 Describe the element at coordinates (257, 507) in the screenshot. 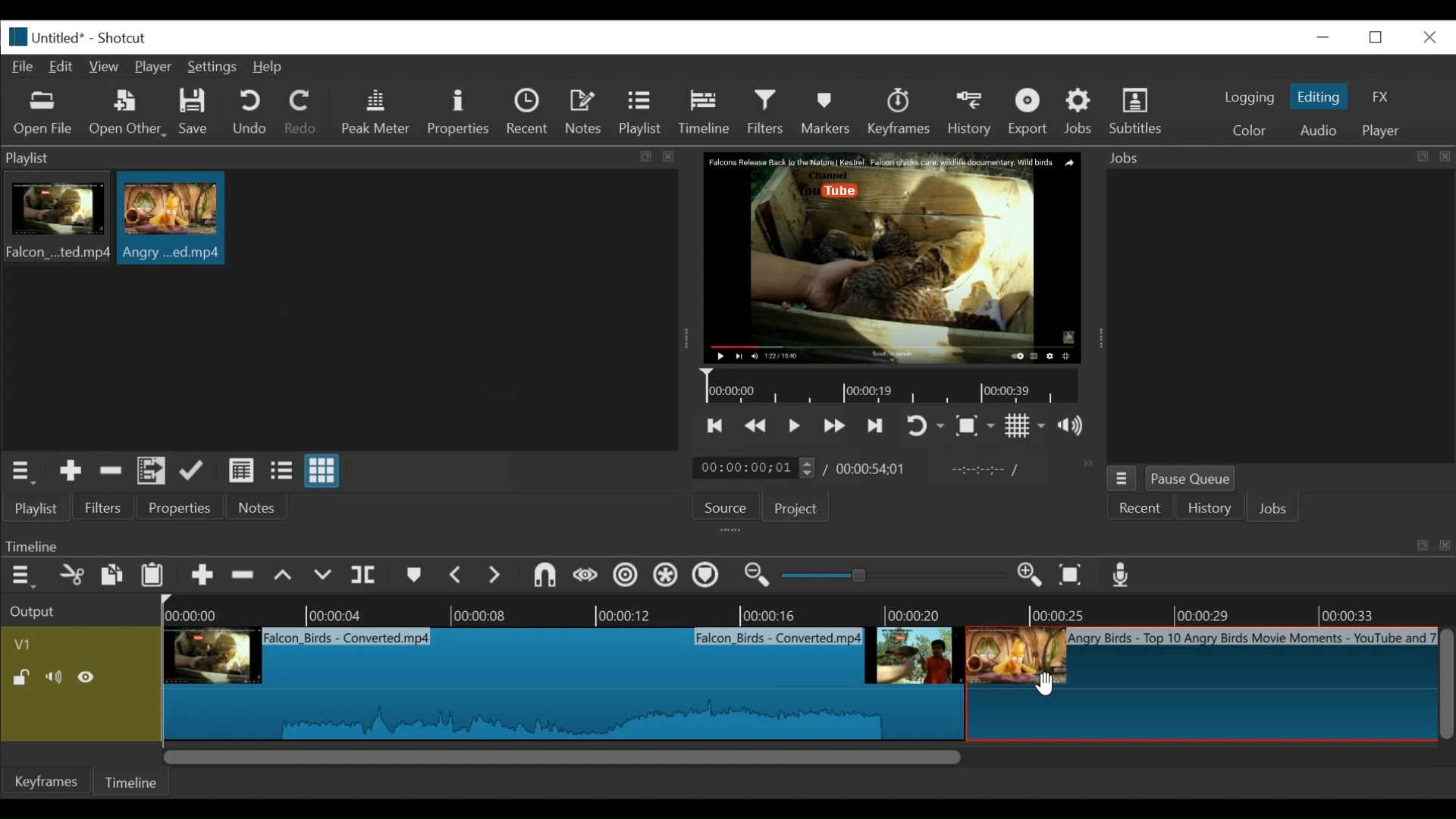

I see `Notes` at that location.